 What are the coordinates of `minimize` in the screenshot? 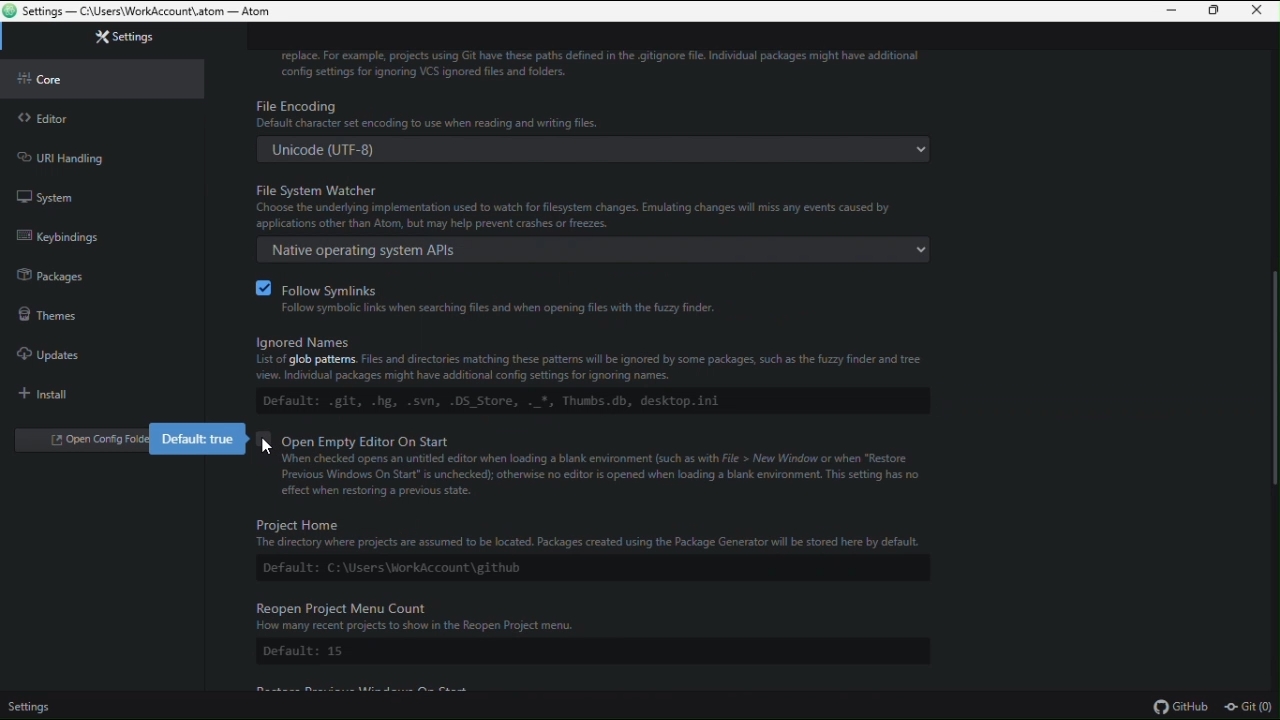 It's located at (1175, 11).